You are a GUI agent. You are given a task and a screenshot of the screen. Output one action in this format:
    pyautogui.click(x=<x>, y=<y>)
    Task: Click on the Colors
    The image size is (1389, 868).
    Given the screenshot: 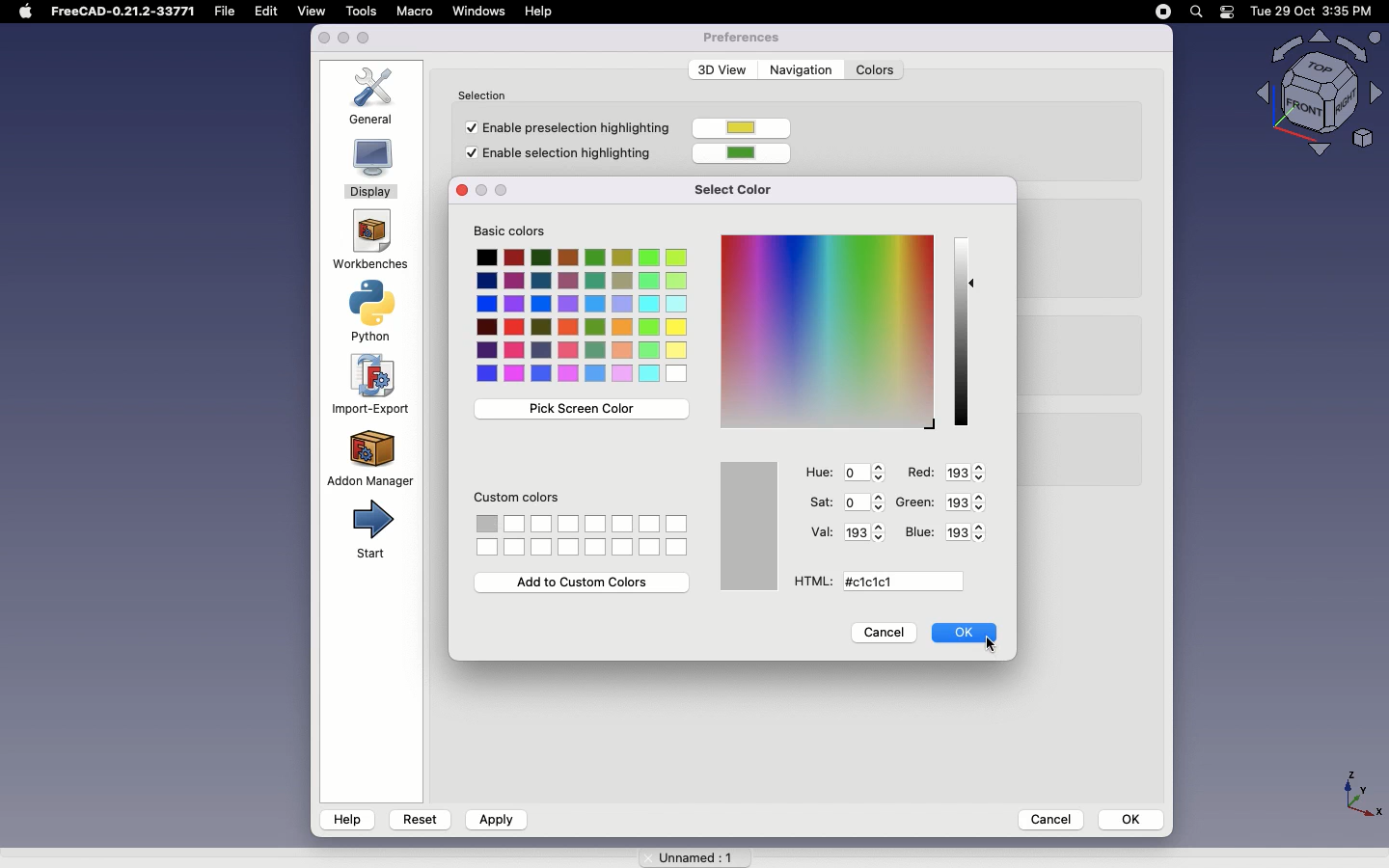 What is the action you would take?
    pyautogui.click(x=584, y=316)
    